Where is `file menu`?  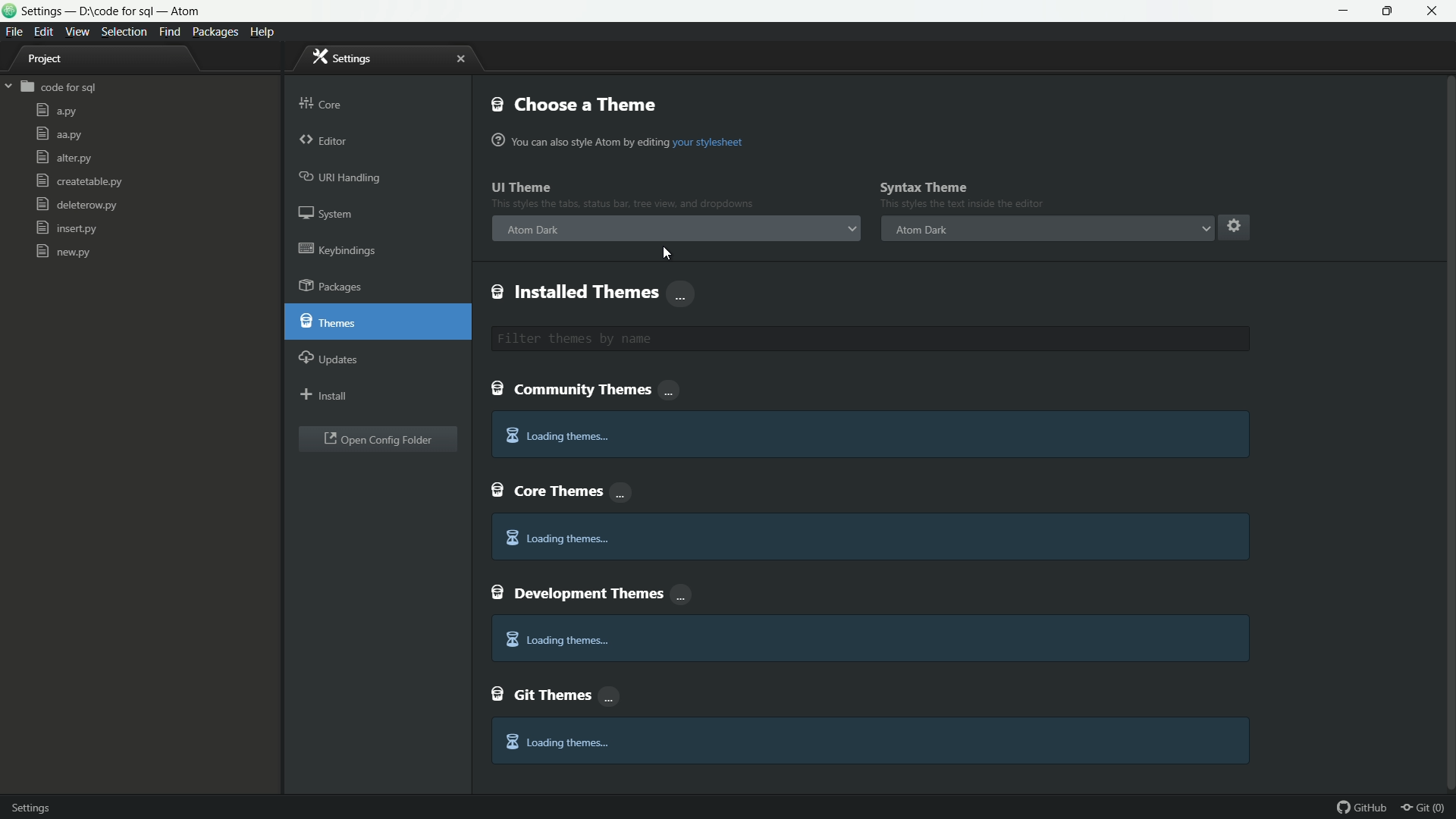 file menu is located at coordinates (14, 33).